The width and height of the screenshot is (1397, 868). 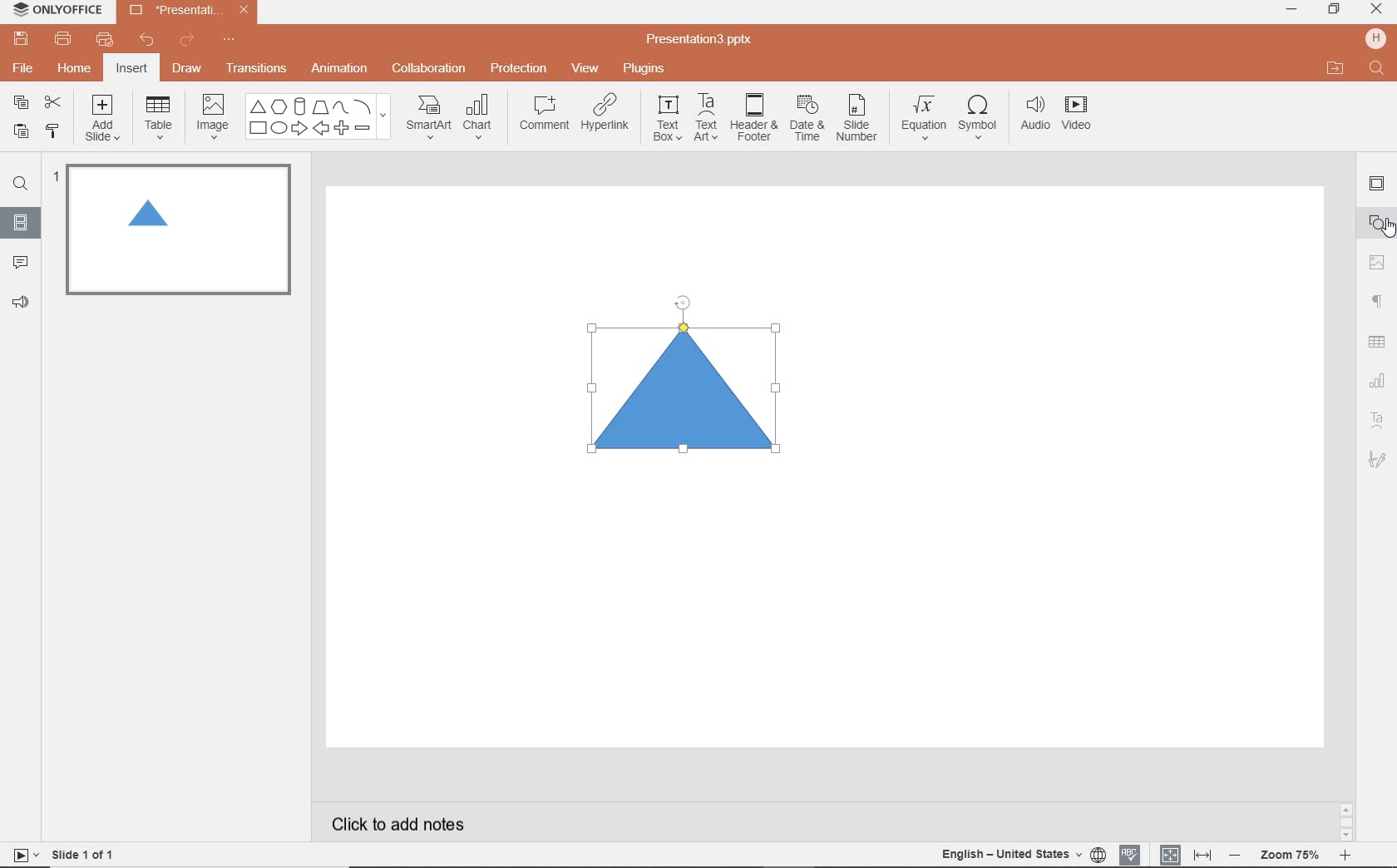 What do you see at coordinates (318, 117) in the screenshot?
I see `SHAPES` at bounding box center [318, 117].